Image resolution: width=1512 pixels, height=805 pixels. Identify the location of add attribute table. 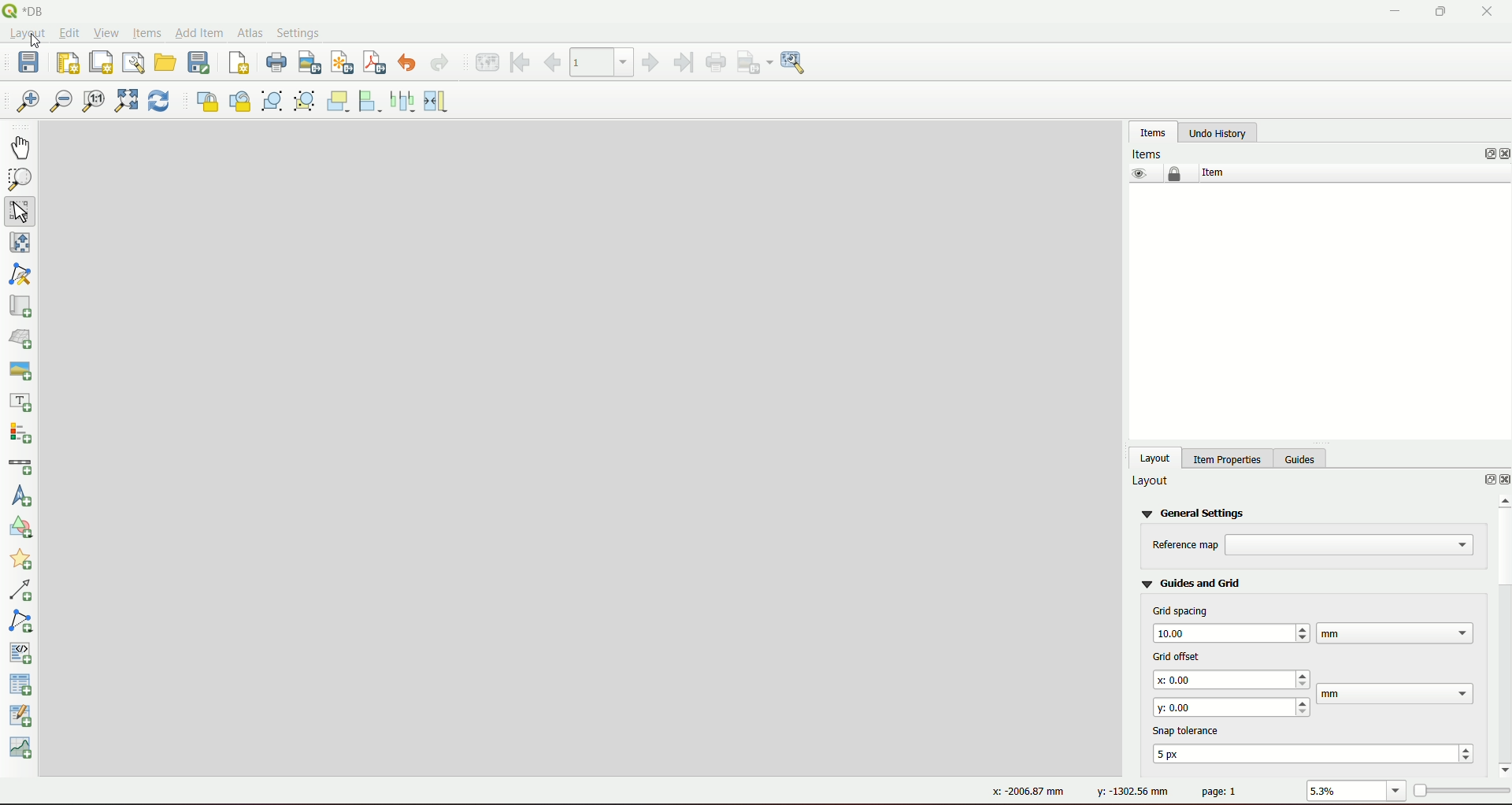
(23, 718).